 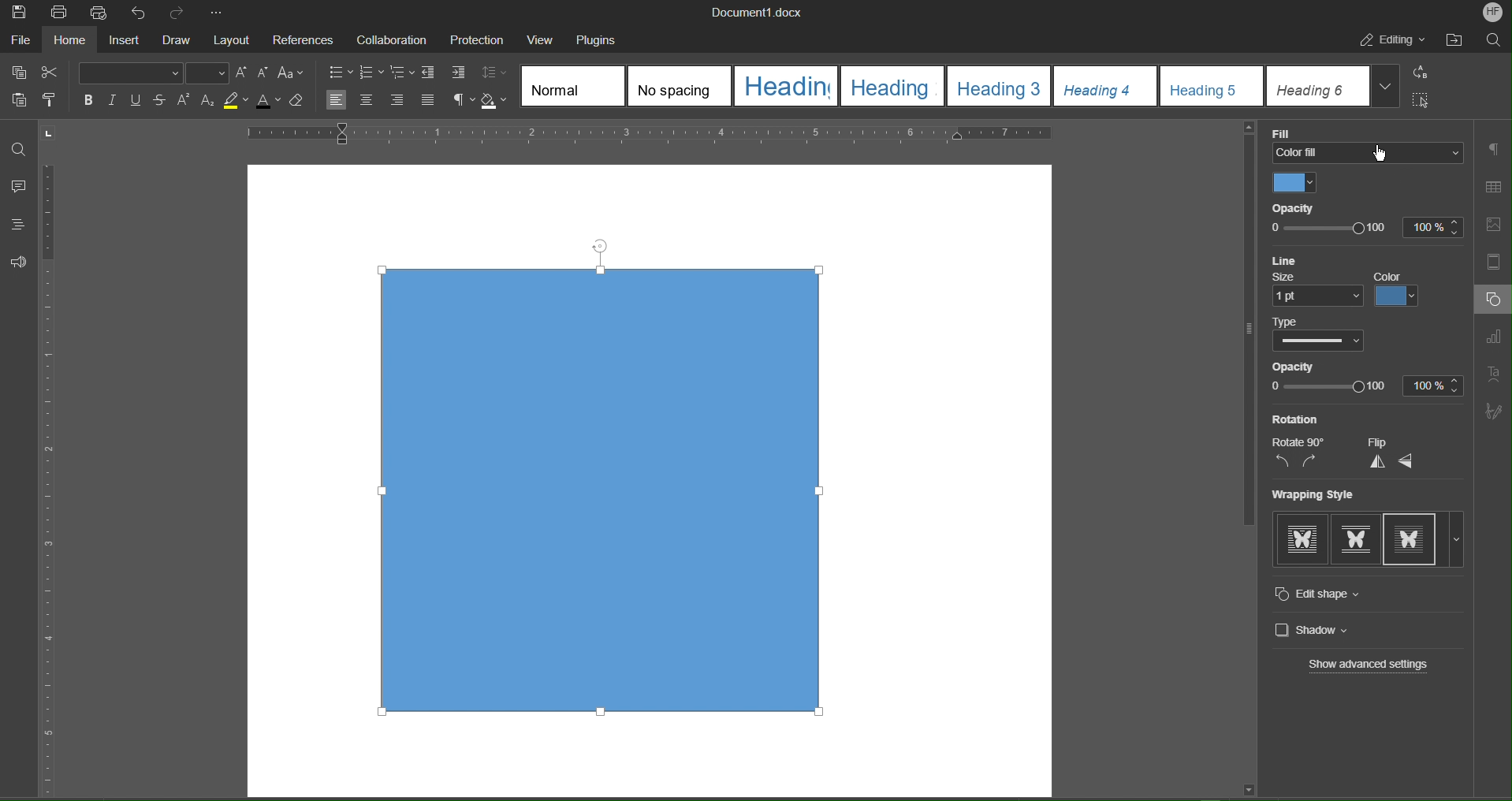 What do you see at coordinates (268, 102) in the screenshot?
I see `Text Color` at bounding box center [268, 102].